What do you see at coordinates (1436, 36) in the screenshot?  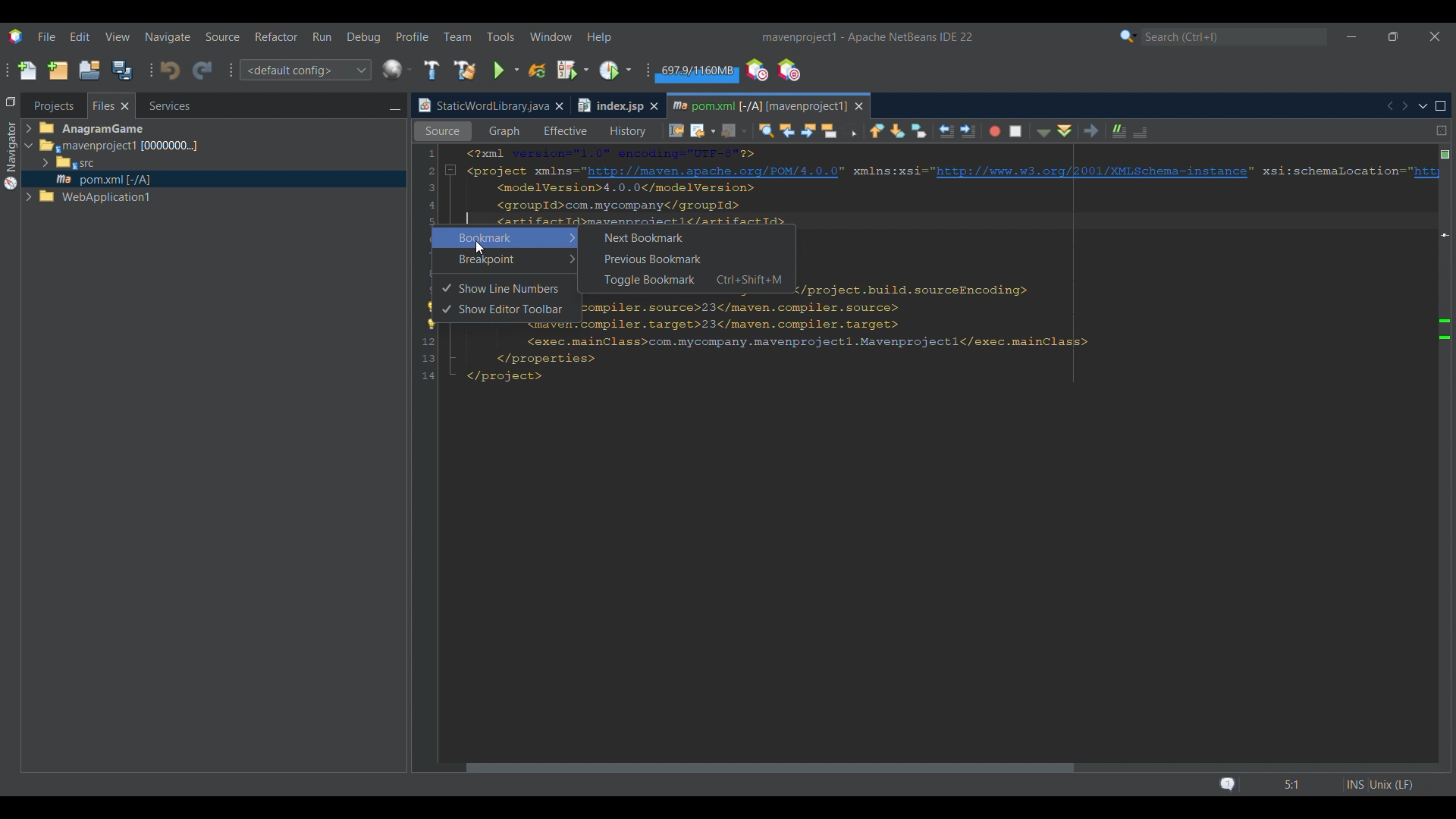 I see `Close interface` at bounding box center [1436, 36].